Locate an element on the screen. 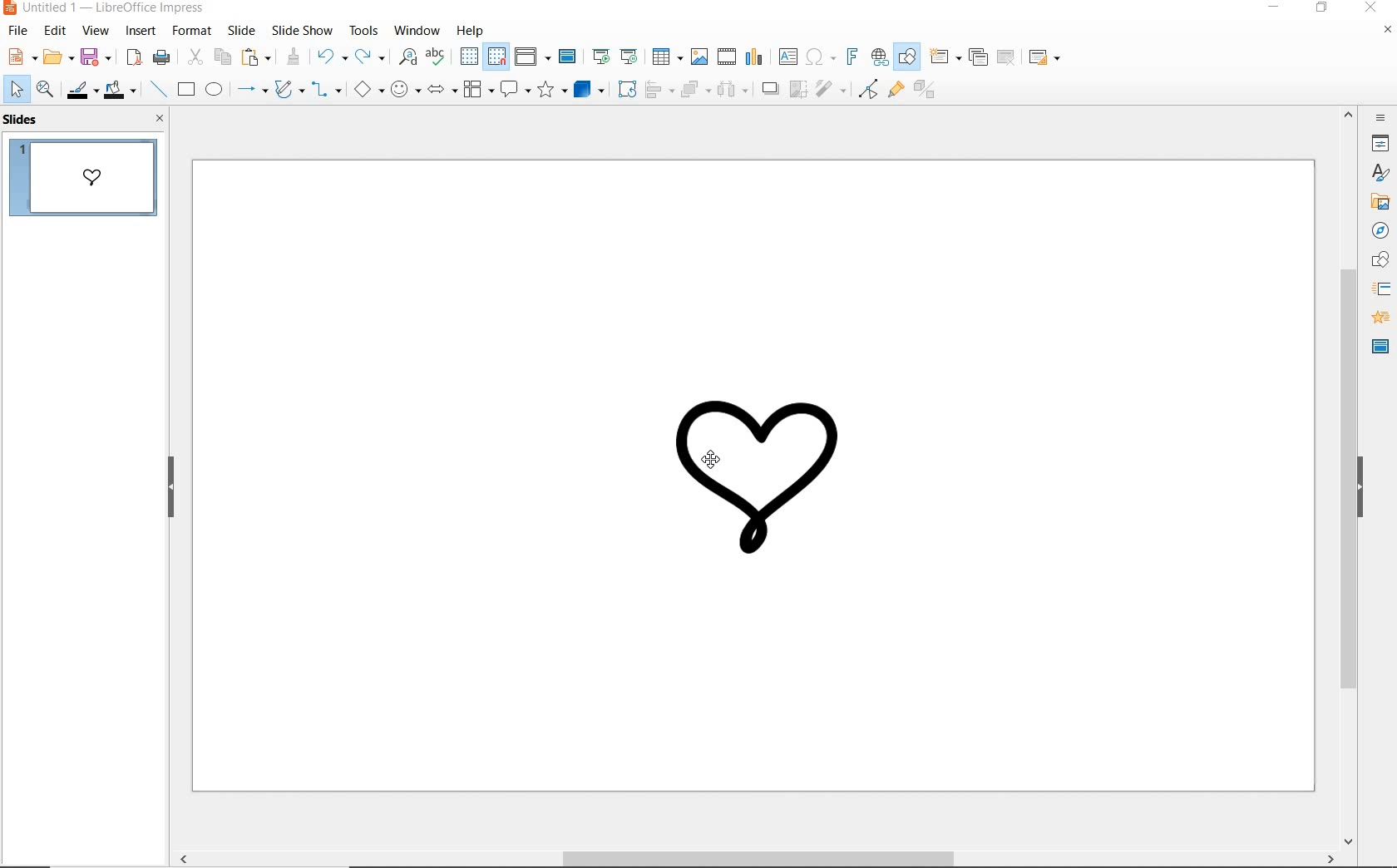  display grid is located at coordinates (469, 57).